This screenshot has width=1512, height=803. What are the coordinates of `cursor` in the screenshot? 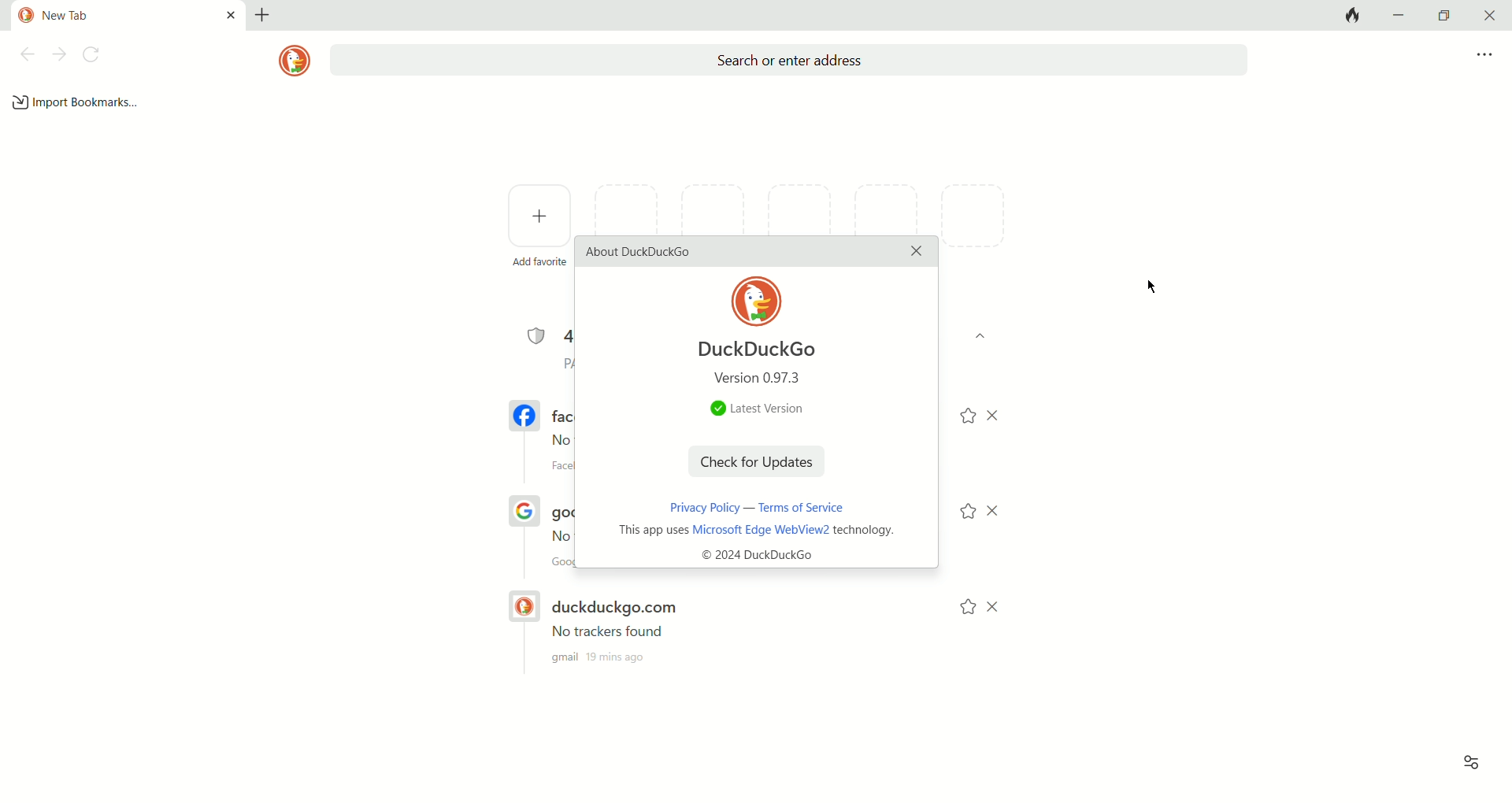 It's located at (1147, 287).